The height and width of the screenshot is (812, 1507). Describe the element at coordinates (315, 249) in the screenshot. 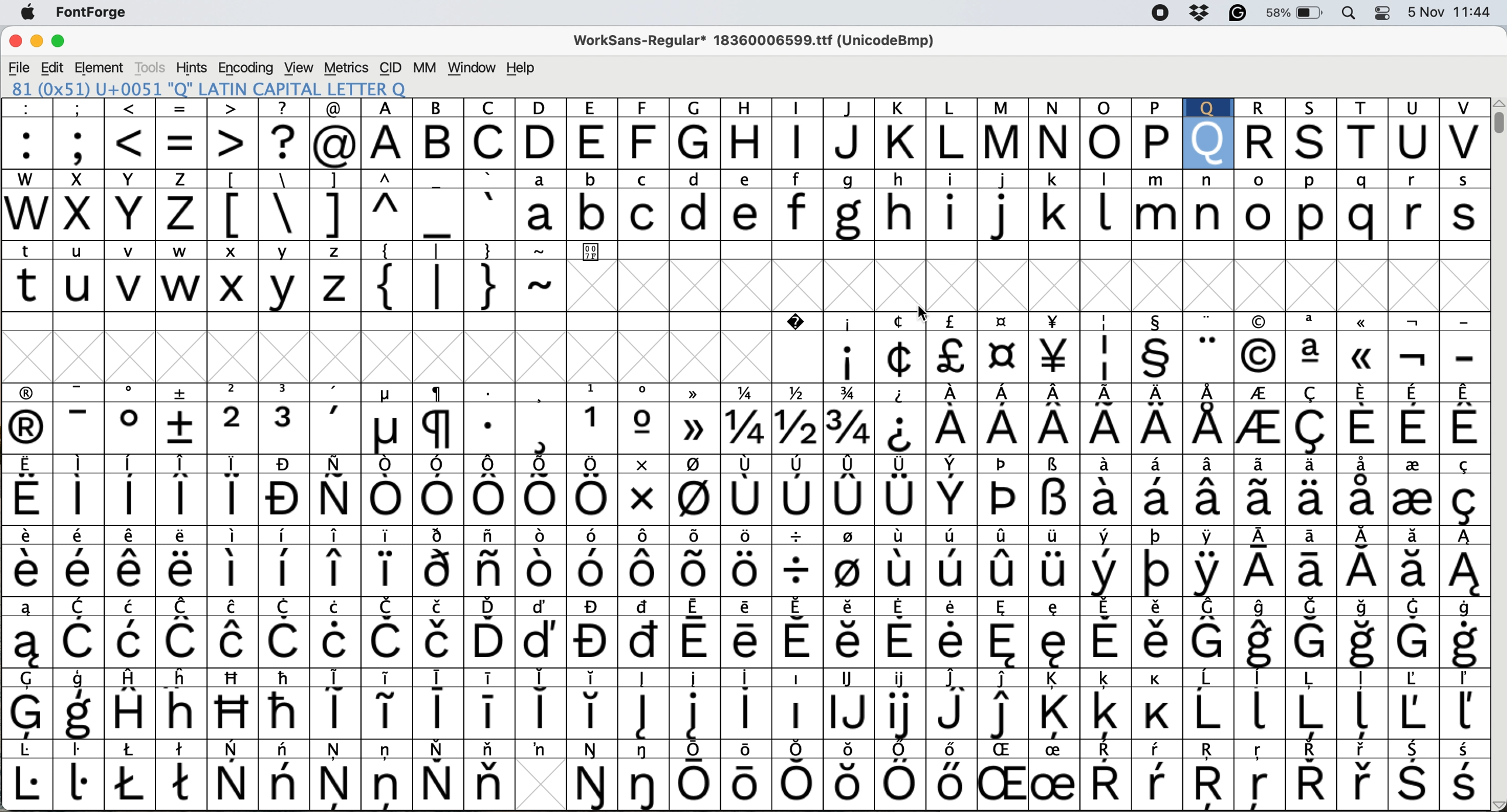

I see `text` at that location.